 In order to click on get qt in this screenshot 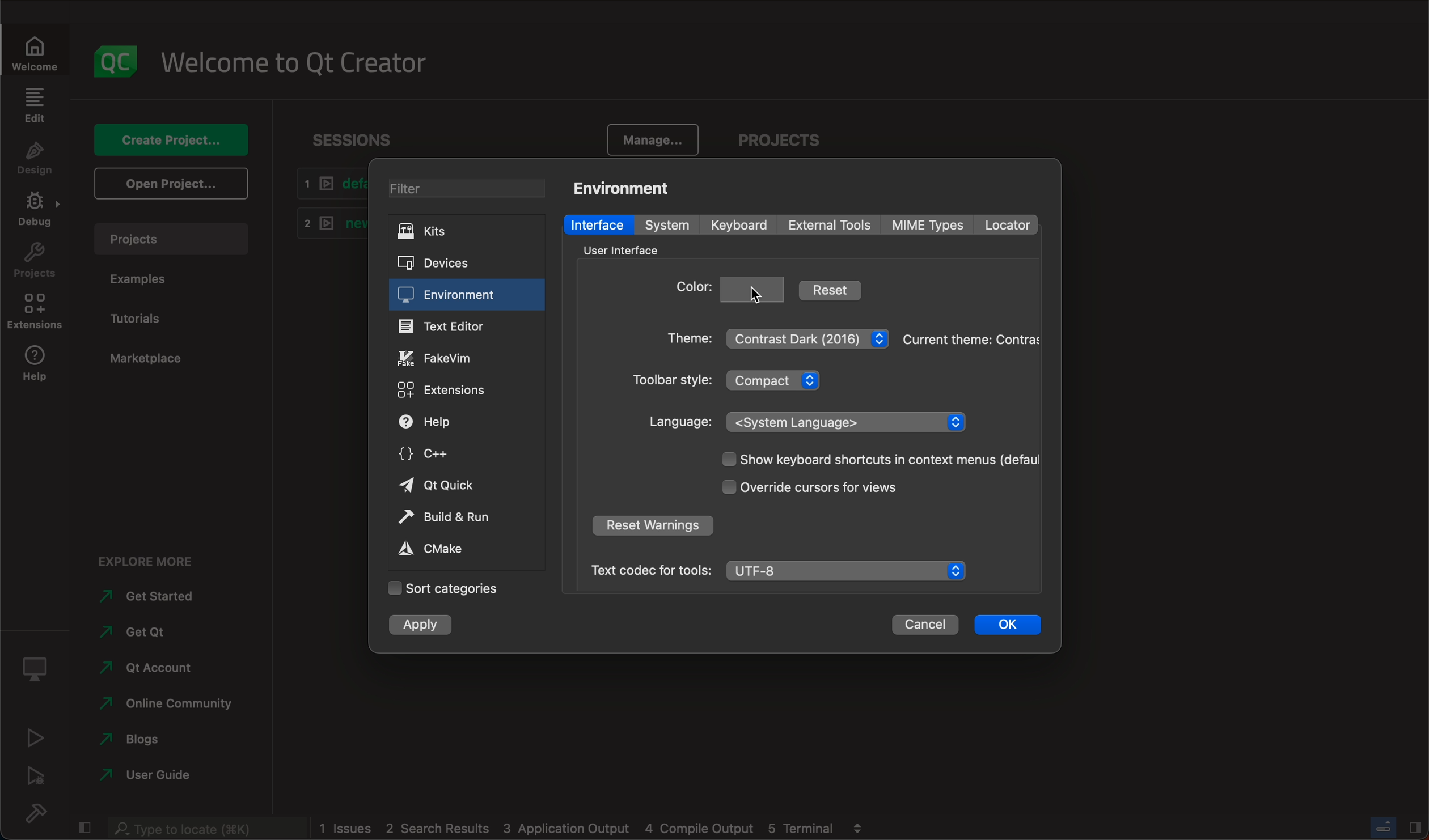, I will do `click(143, 629)`.